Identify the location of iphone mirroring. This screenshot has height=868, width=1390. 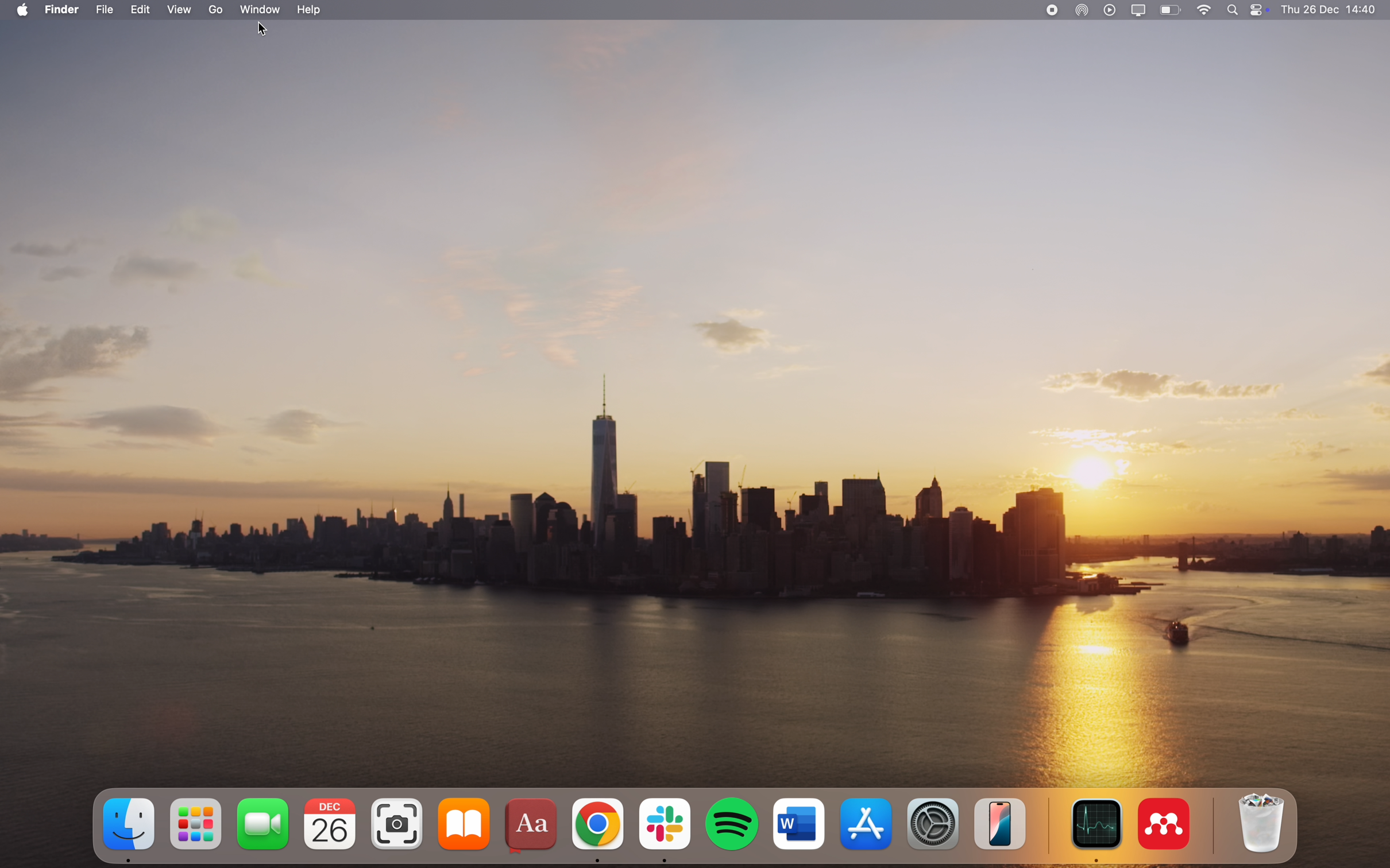
(1003, 824).